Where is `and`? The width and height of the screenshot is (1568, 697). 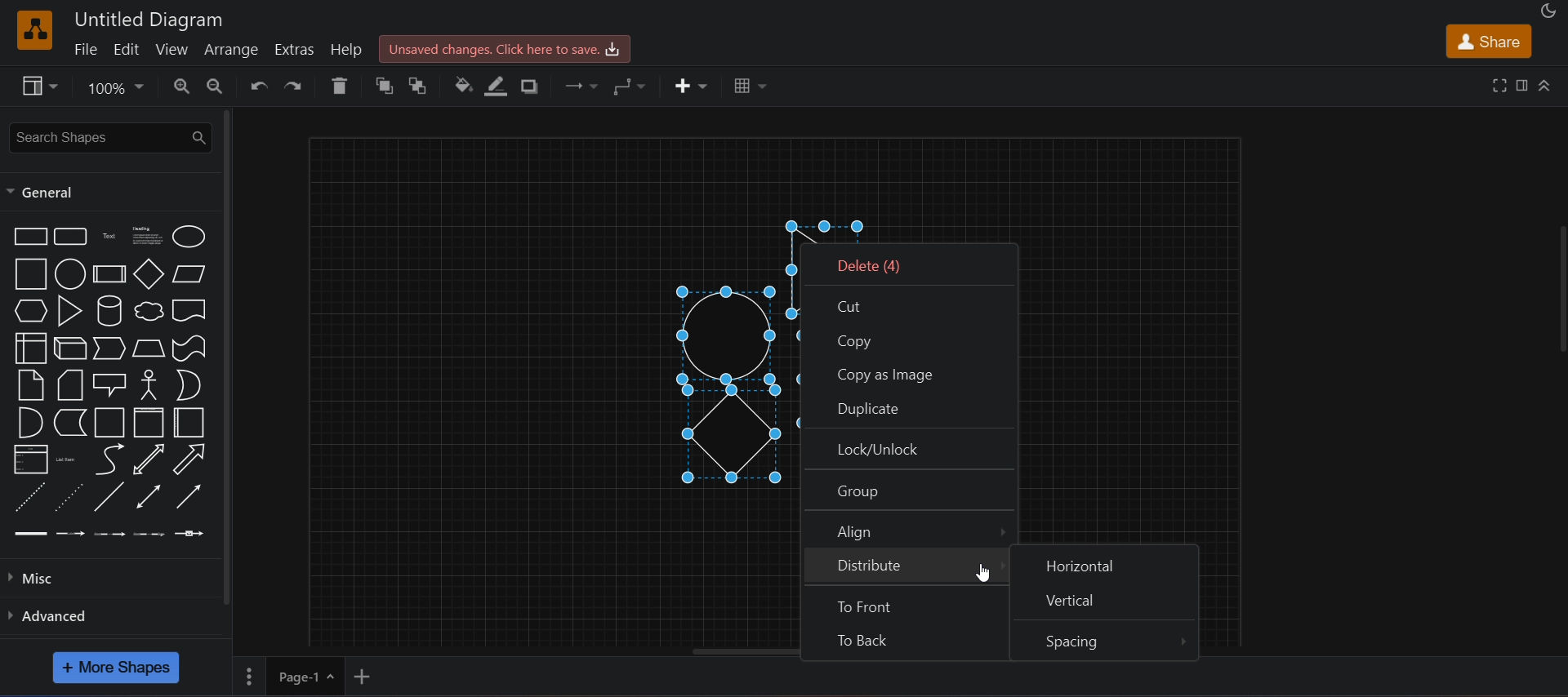
and is located at coordinates (29, 421).